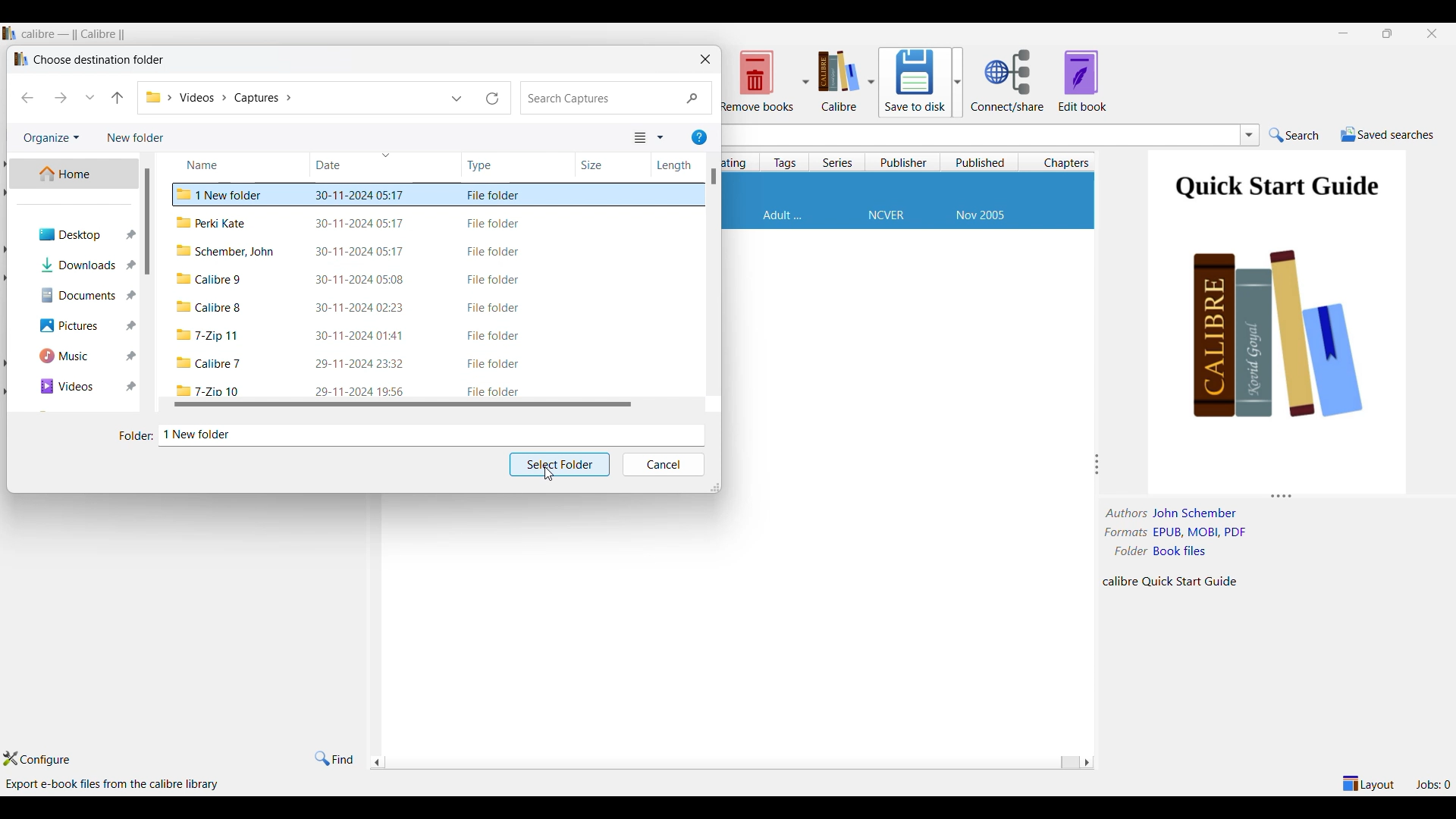 Image resolution: width=1456 pixels, height=819 pixels. What do you see at coordinates (27, 98) in the screenshot?
I see `Go back` at bounding box center [27, 98].